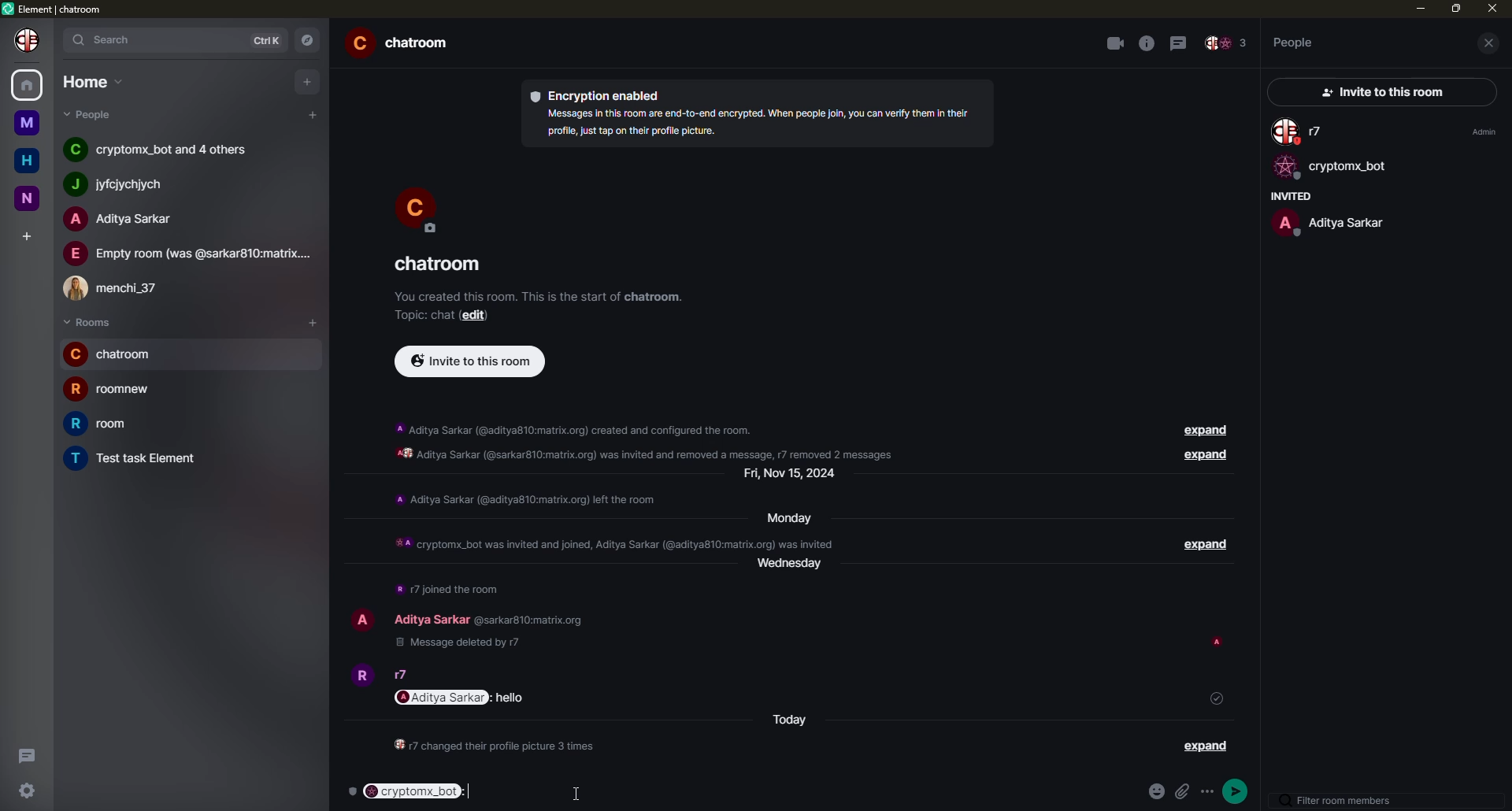 This screenshot has width=1512, height=811. Describe the element at coordinates (120, 285) in the screenshot. I see `people` at that location.